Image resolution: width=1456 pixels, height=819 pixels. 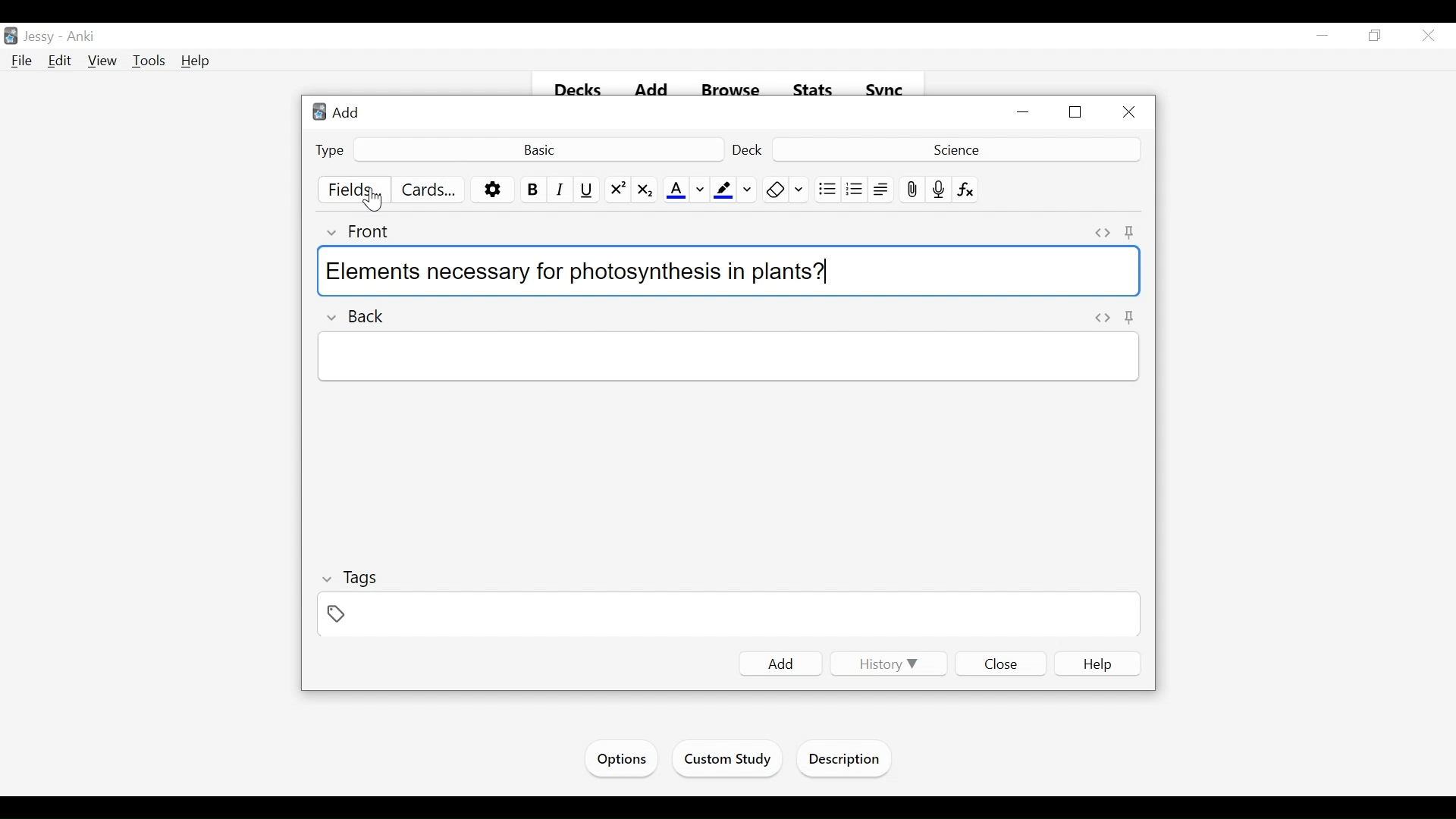 What do you see at coordinates (340, 111) in the screenshot?
I see `Add` at bounding box center [340, 111].